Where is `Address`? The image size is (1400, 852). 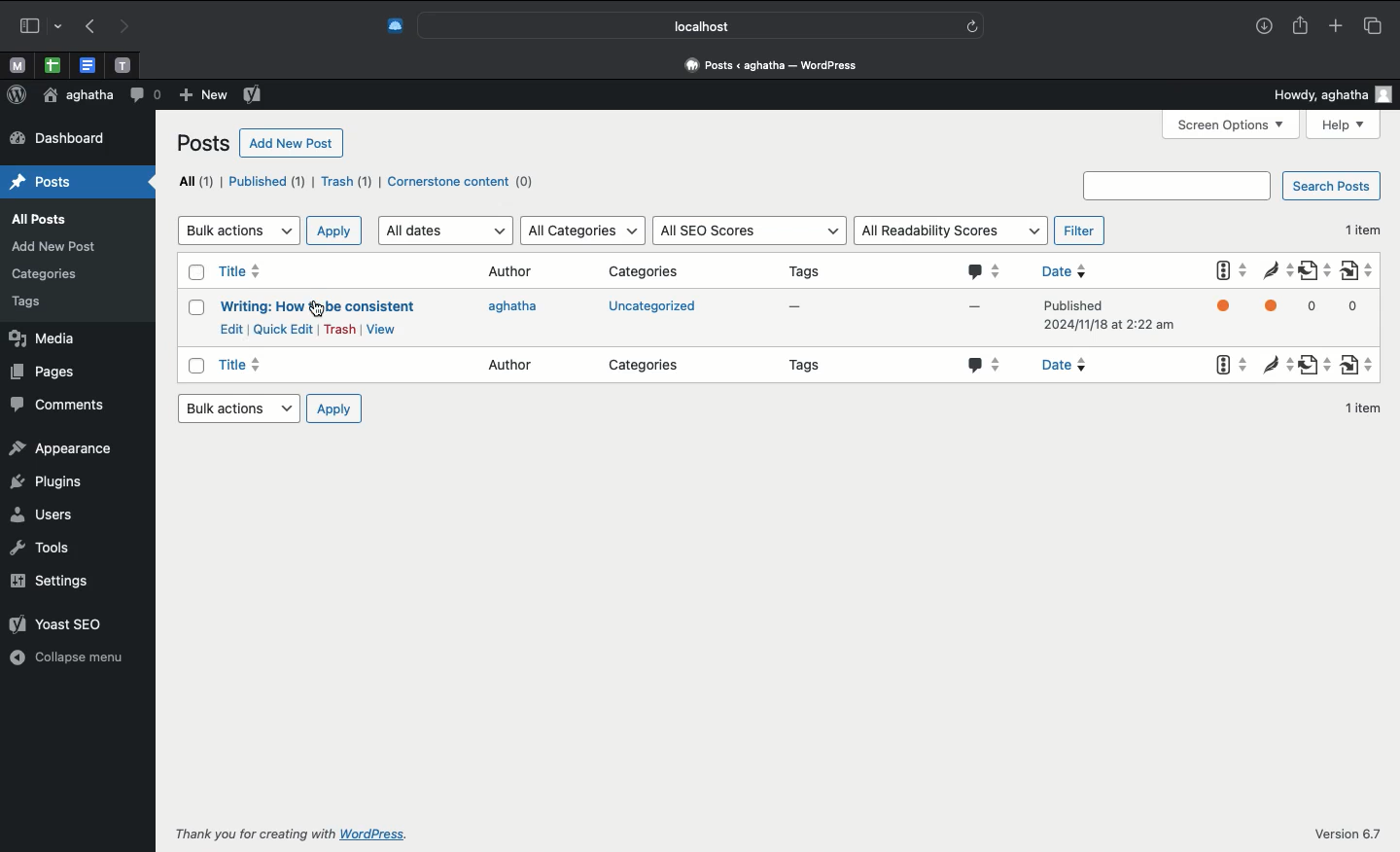 Address is located at coordinates (775, 65).